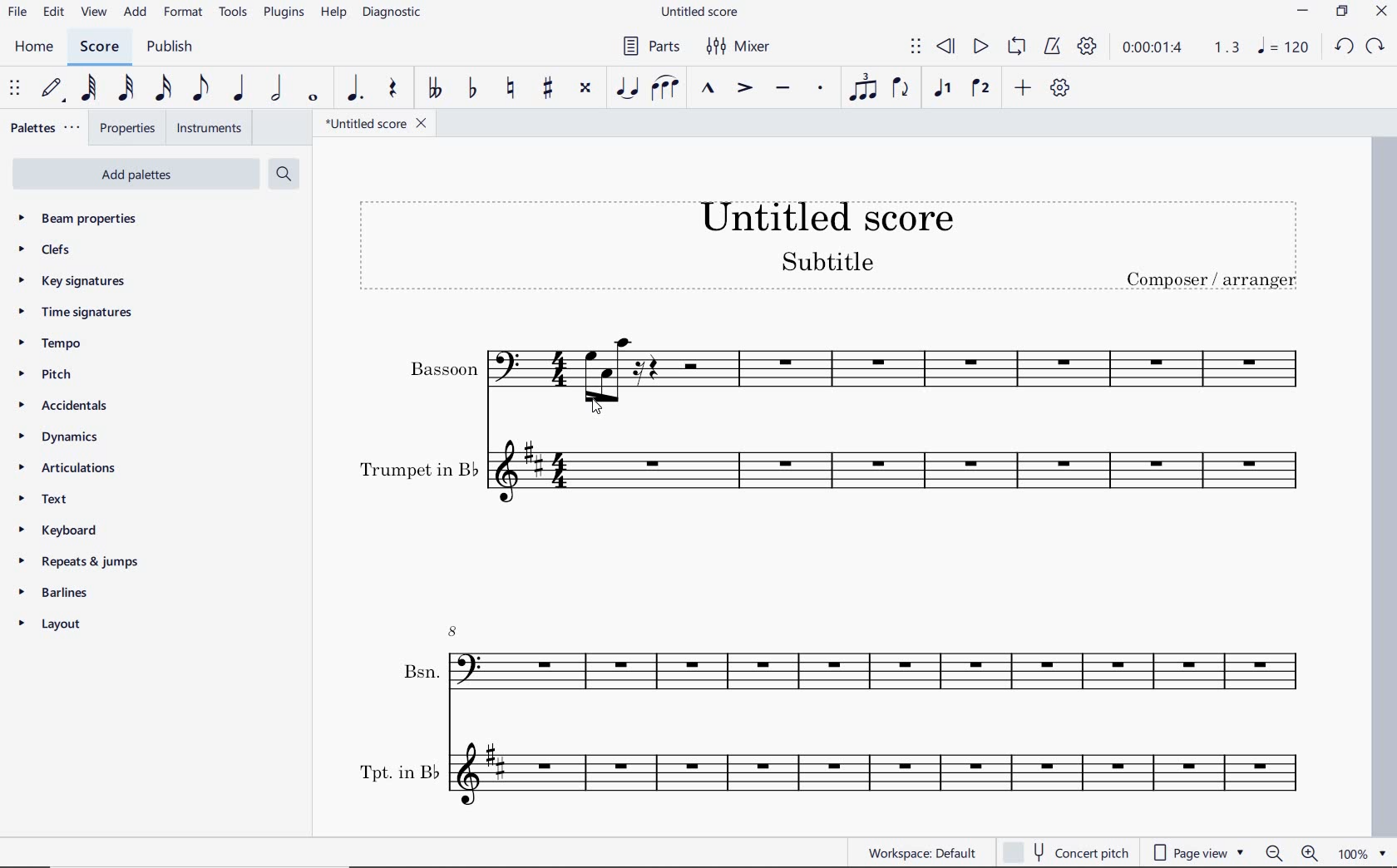 The height and width of the screenshot is (868, 1397). Describe the element at coordinates (1197, 851) in the screenshot. I see `page view` at that location.